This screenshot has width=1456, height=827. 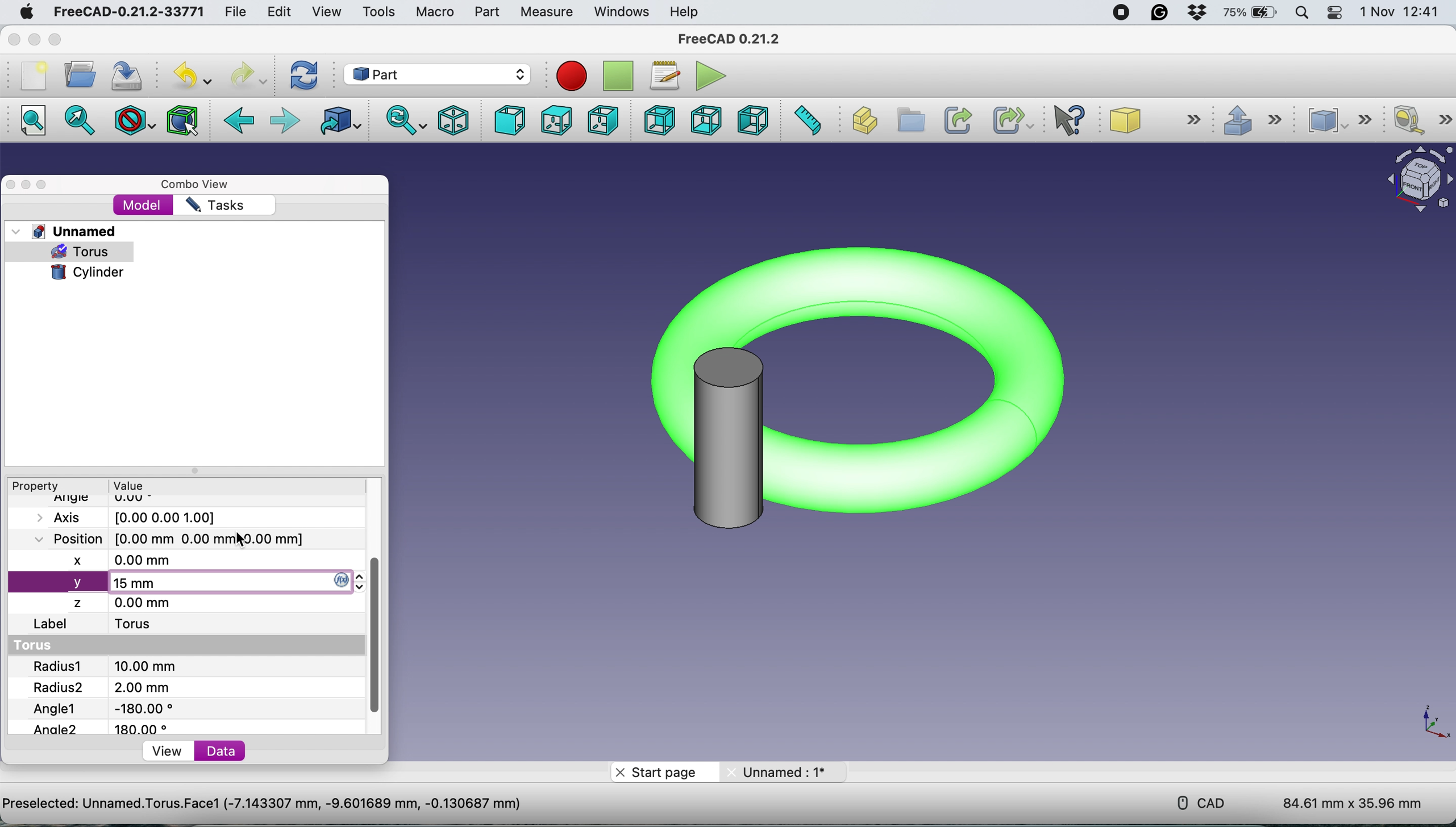 I want to click on view, so click(x=326, y=12).